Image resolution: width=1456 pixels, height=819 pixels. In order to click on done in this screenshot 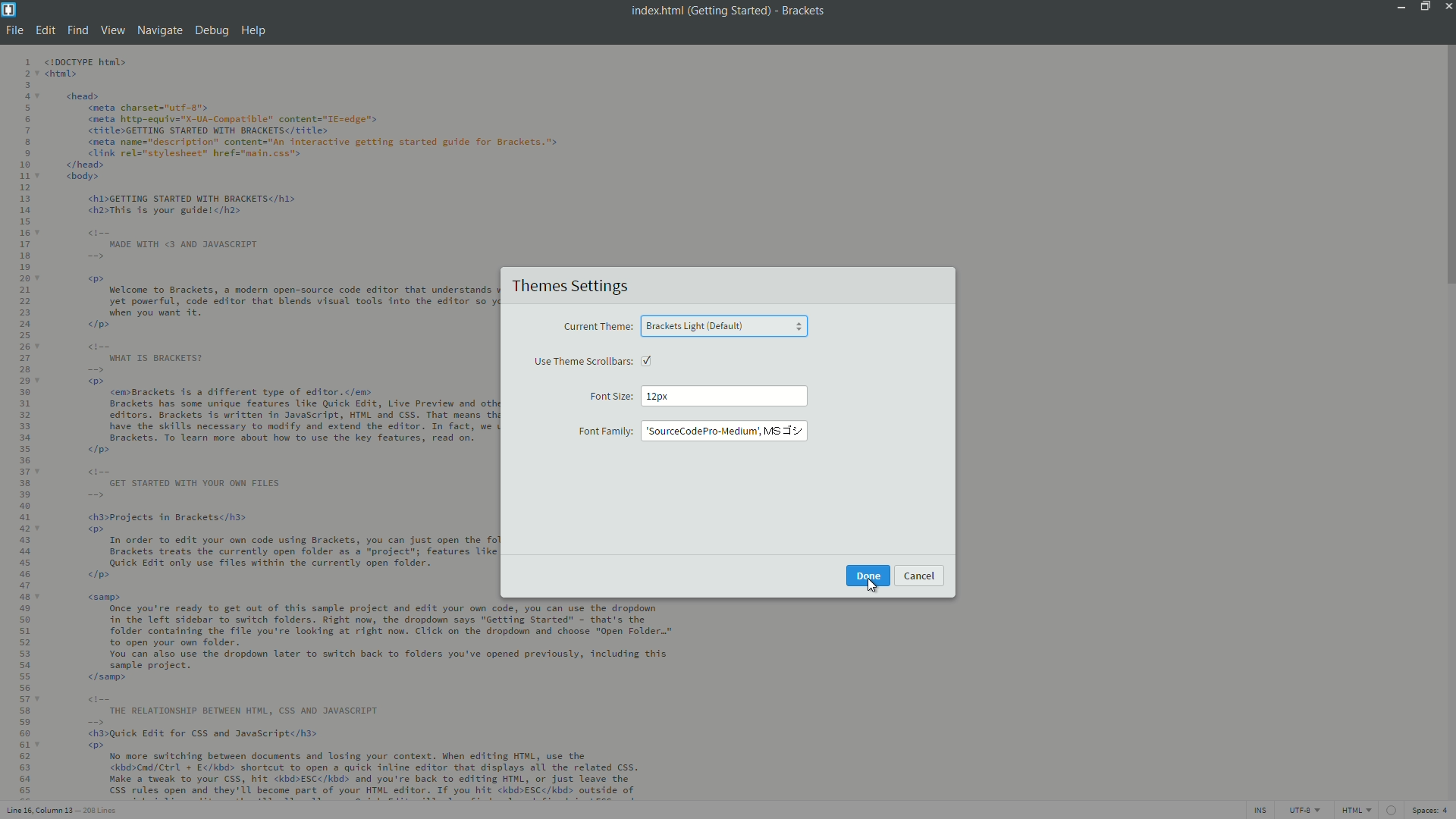, I will do `click(869, 576)`.